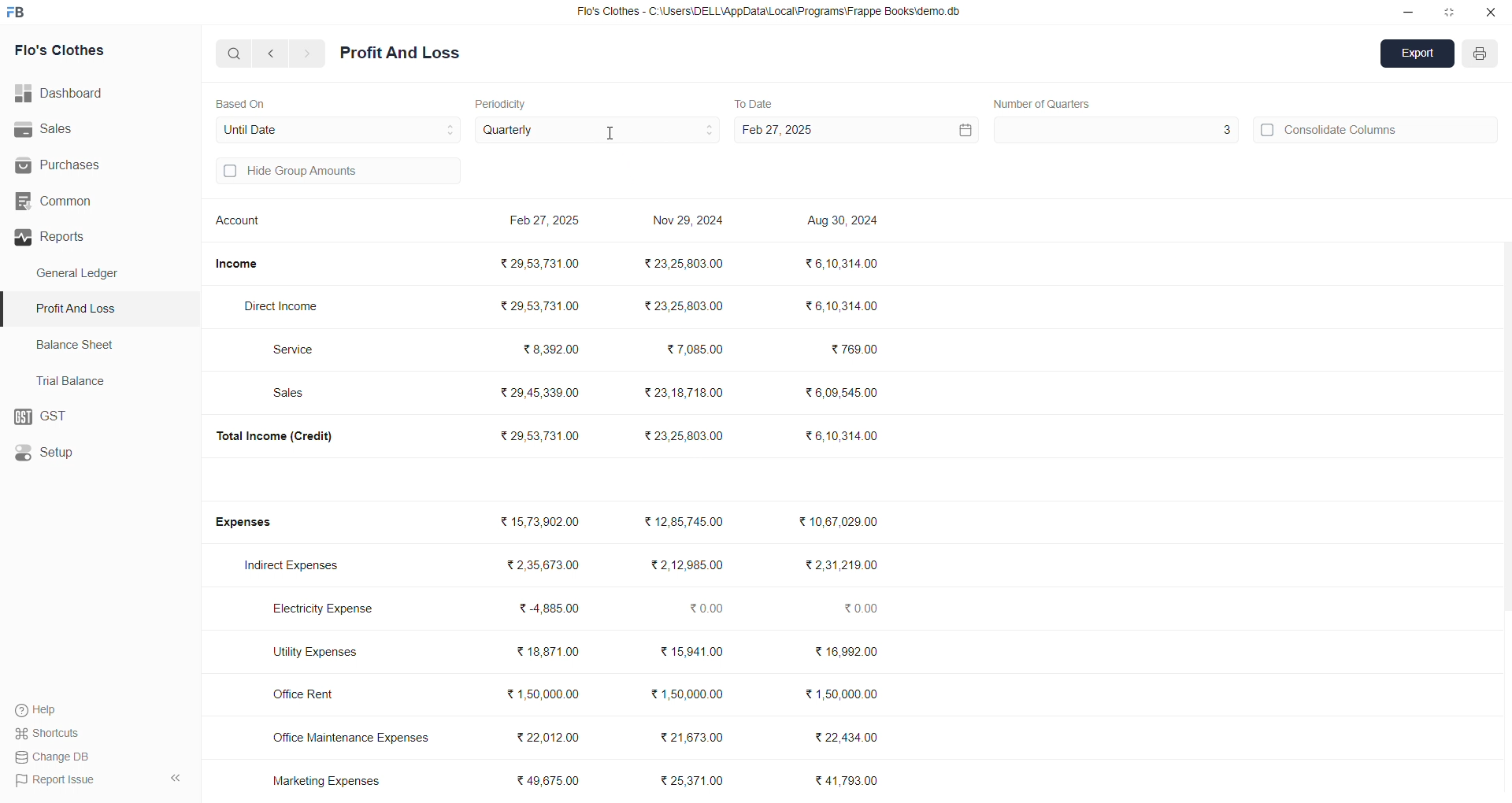  What do you see at coordinates (842, 522) in the screenshot?
I see `₹10,67,029.00` at bounding box center [842, 522].